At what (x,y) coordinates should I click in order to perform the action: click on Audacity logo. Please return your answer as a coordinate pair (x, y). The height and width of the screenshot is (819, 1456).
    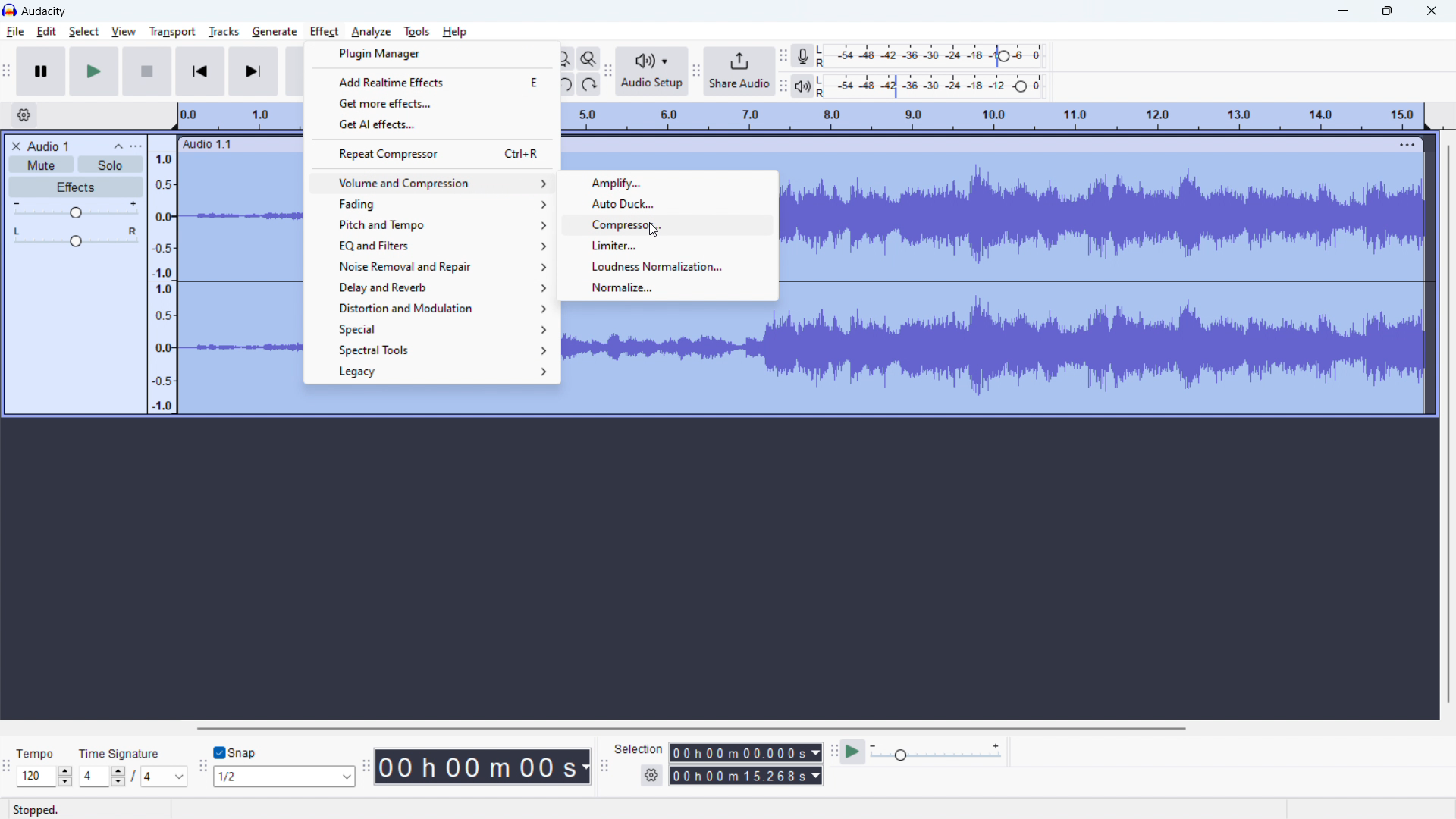
    Looking at the image, I should click on (10, 10).